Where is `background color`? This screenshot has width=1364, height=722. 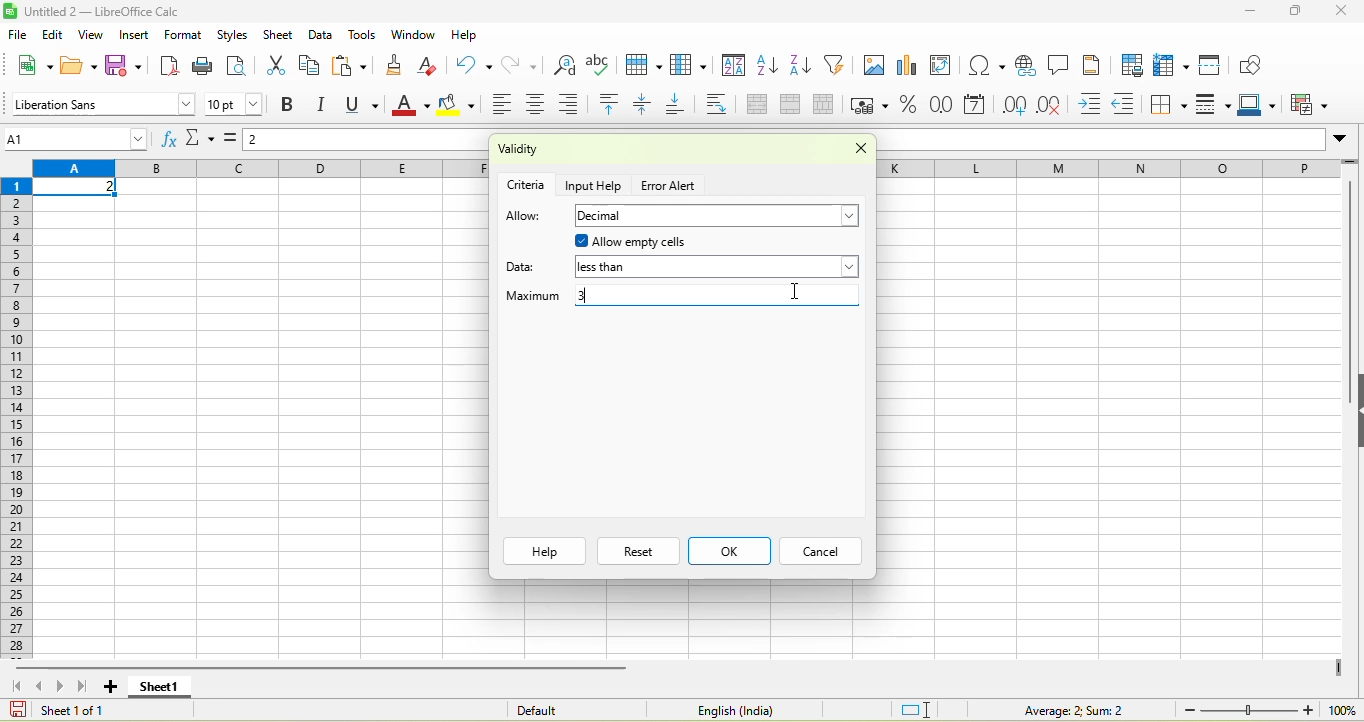 background color is located at coordinates (457, 106).